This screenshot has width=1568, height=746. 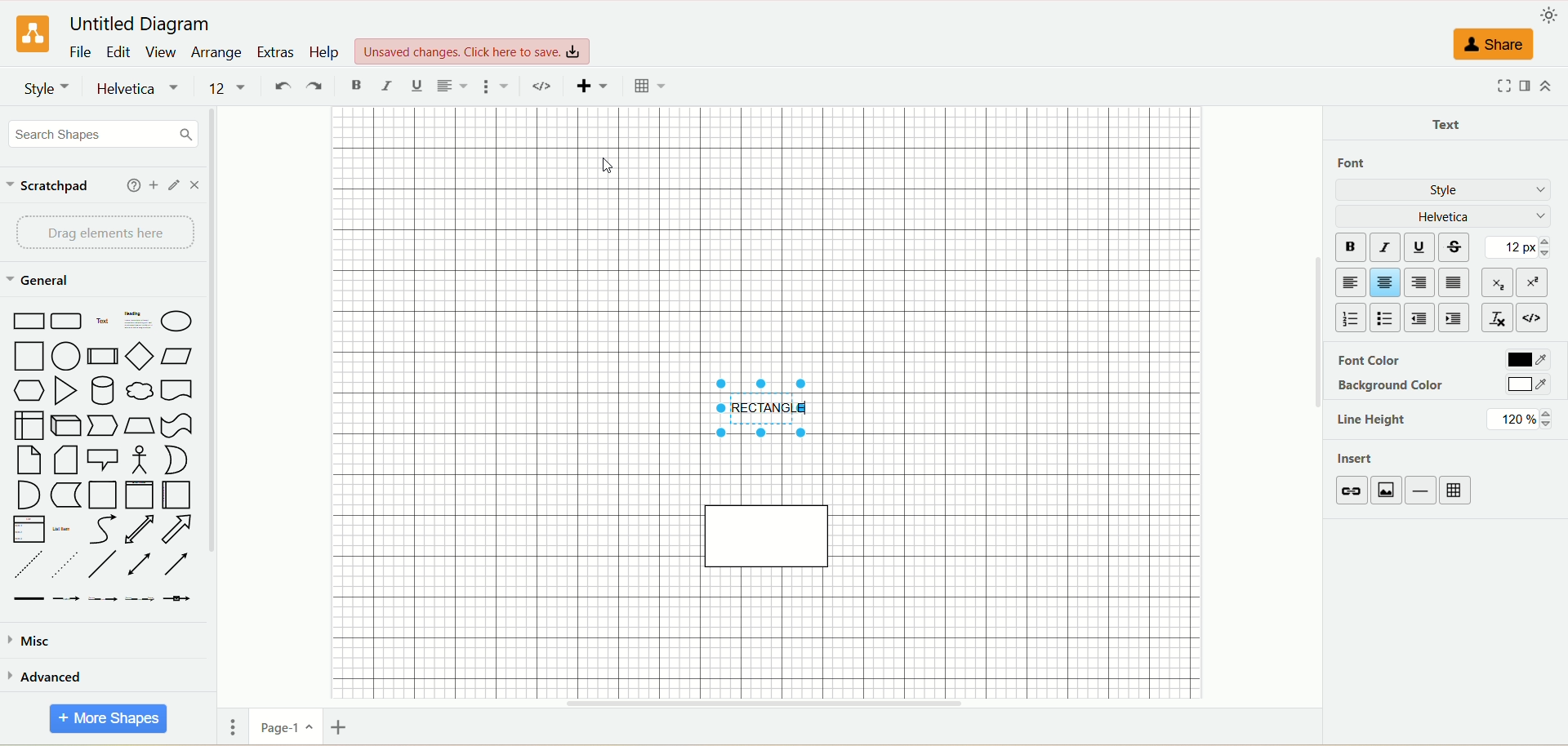 I want to click on line, so click(x=105, y=565).